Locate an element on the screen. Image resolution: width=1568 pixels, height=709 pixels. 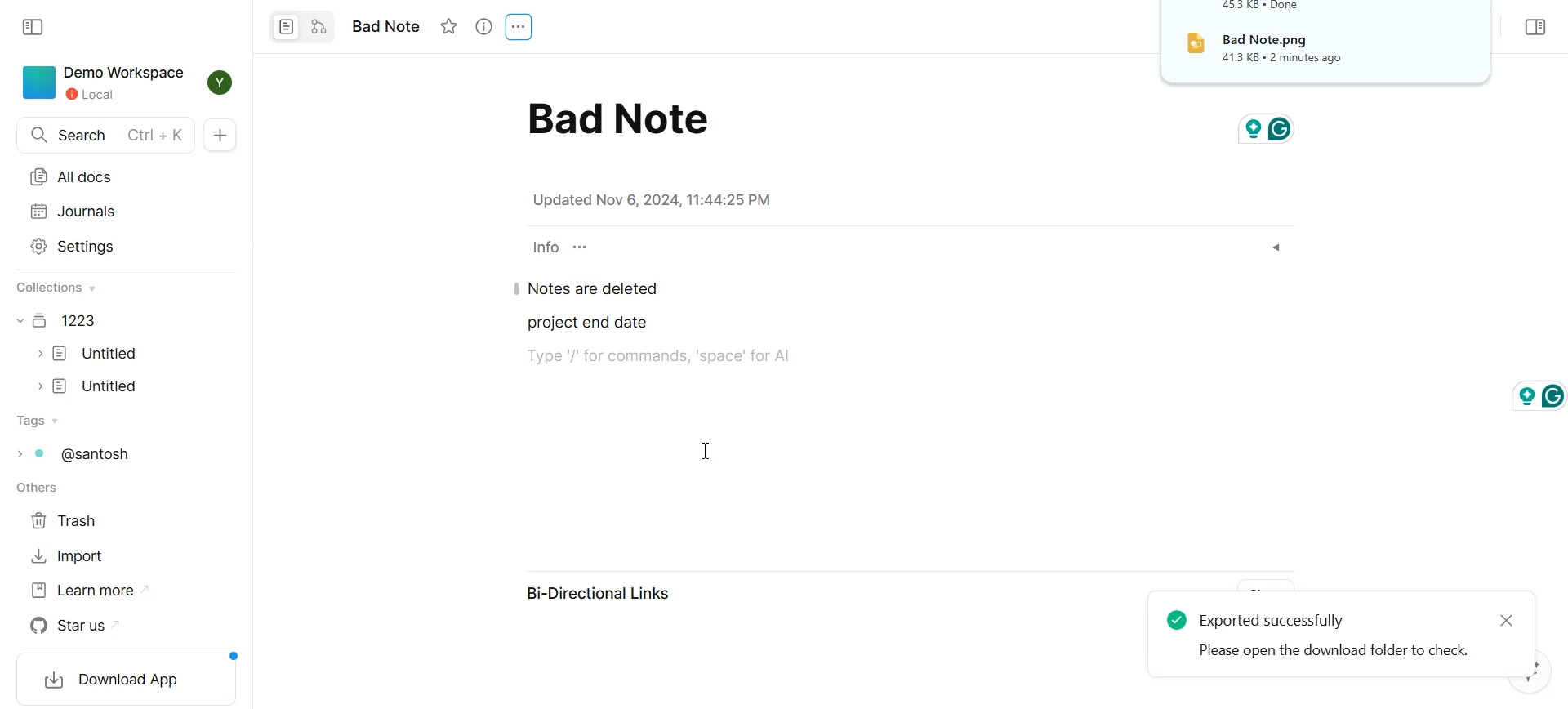
Convert to edgeless is located at coordinates (318, 25).